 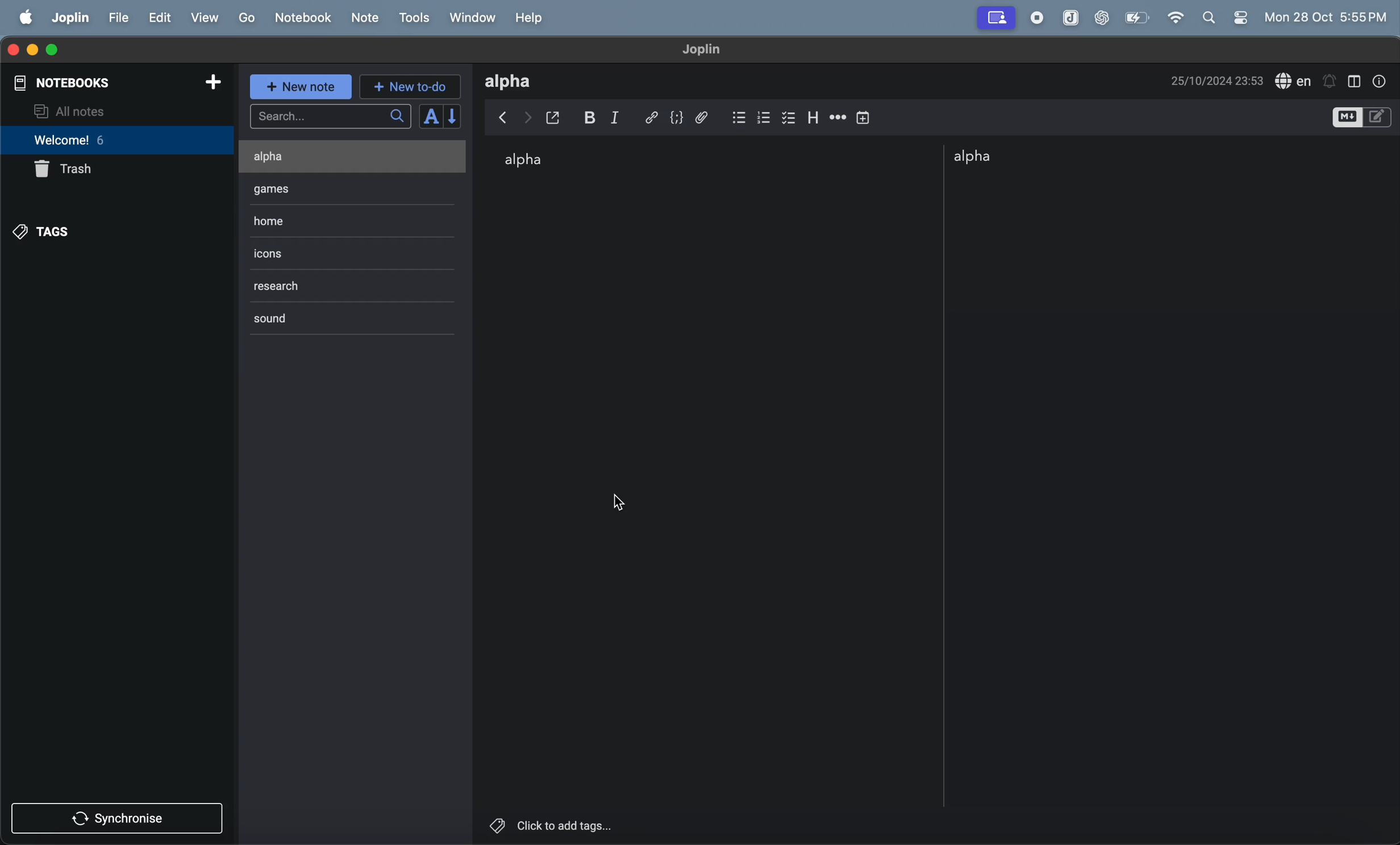 What do you see at coordinates (33, 49) in the screenshot?
I see `minimize` at bounding box center [33, 49].